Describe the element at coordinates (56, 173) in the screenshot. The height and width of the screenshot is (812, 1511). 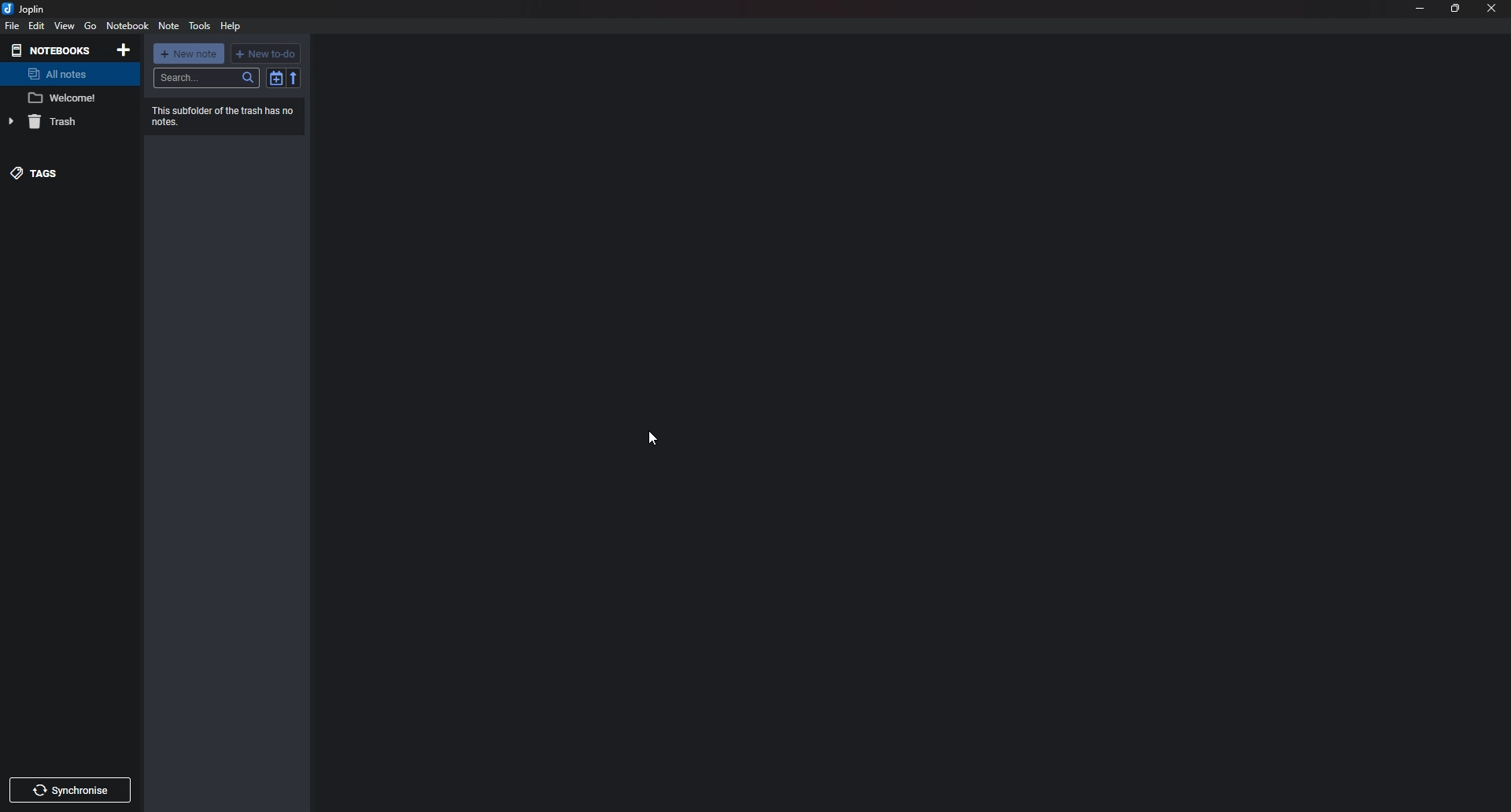
I see `tags` at that location.